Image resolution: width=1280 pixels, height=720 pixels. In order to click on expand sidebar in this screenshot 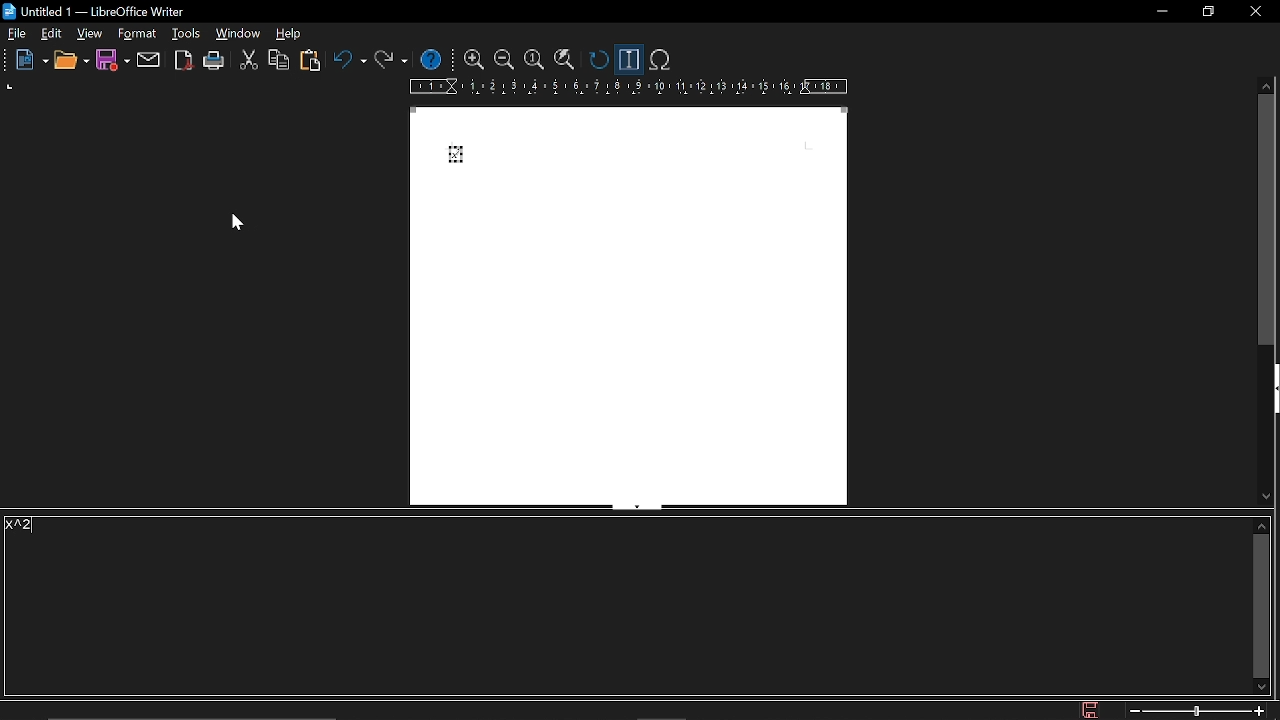, I will do `click(1272, 391)`.